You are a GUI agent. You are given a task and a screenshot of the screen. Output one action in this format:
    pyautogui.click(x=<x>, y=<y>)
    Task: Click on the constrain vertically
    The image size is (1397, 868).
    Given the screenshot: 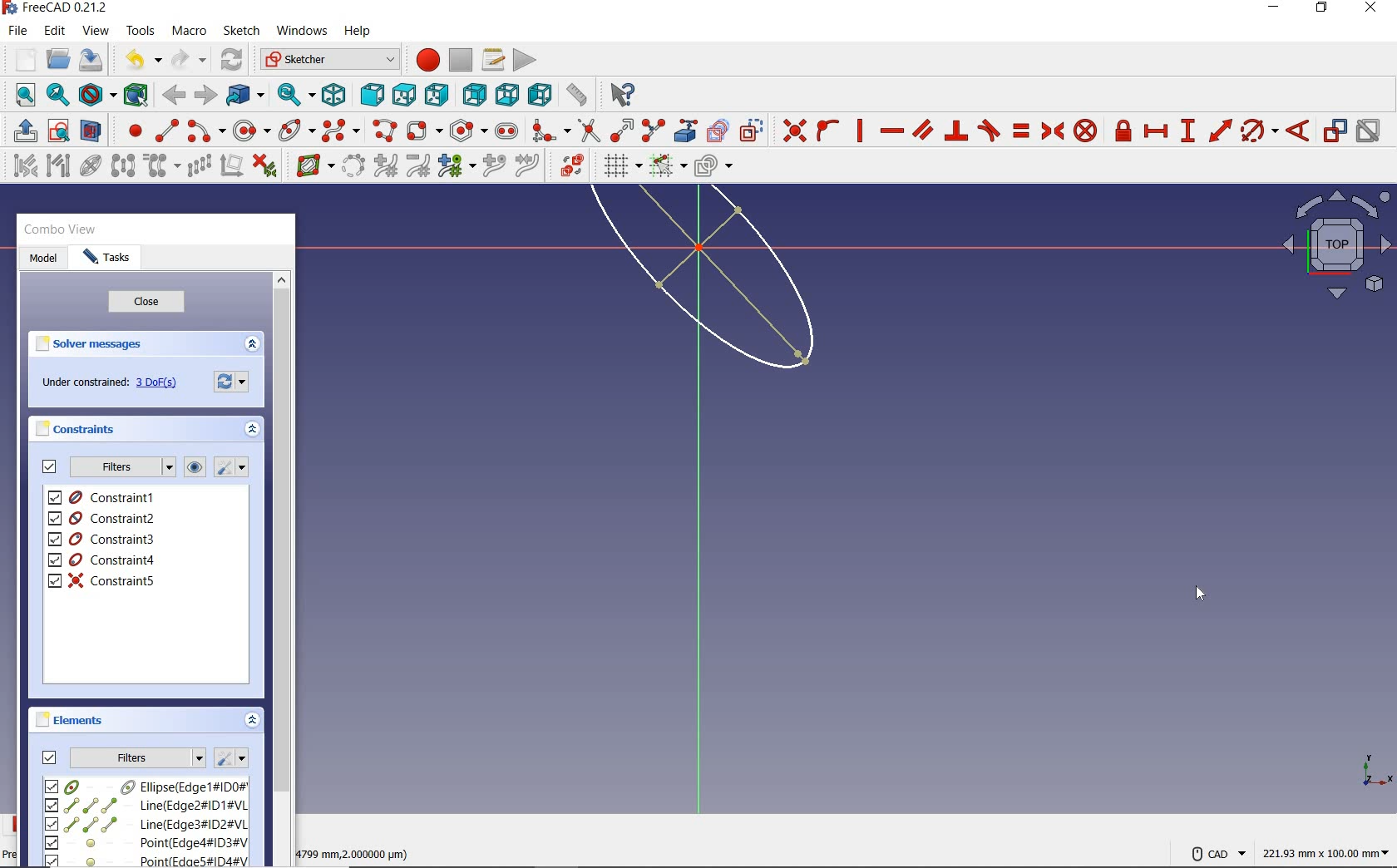 What is the action you would take?
    pyautogui.click(x=860, y=131)
    